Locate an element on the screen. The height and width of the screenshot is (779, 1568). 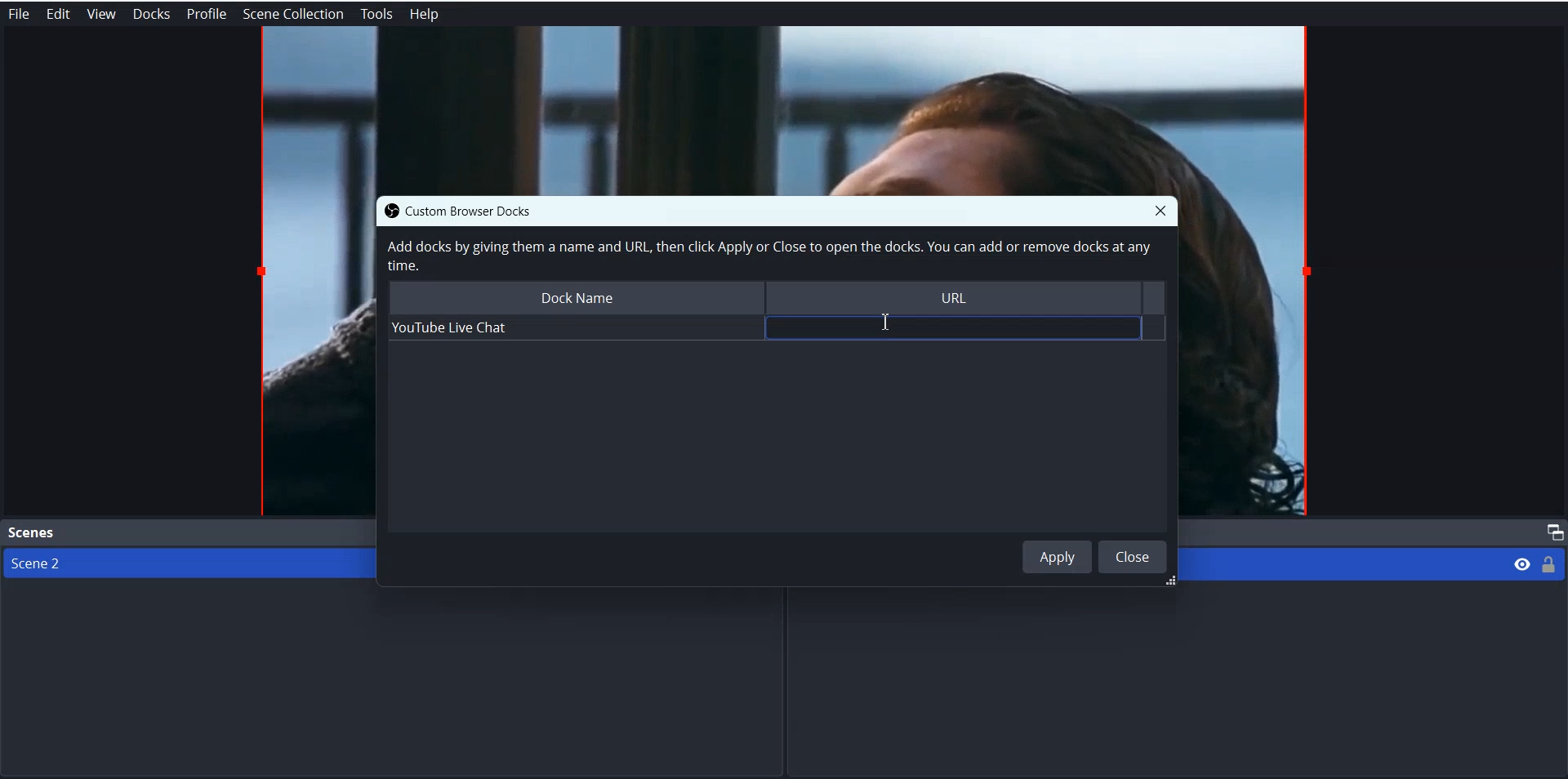
Youtube Live Chat is located at coordinates (571, 328).